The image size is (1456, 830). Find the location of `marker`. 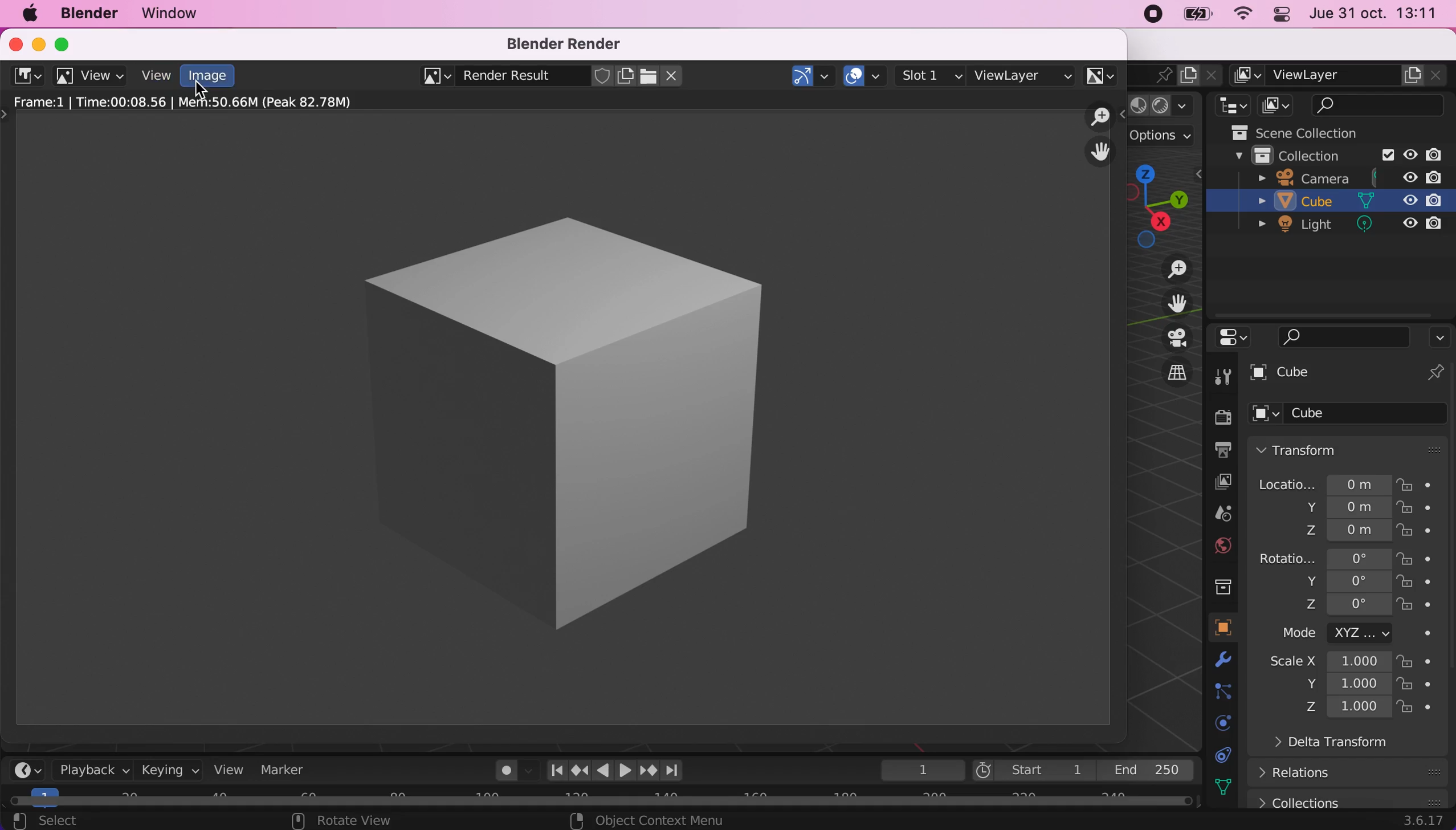

marker is located at coordinates (291, 771).